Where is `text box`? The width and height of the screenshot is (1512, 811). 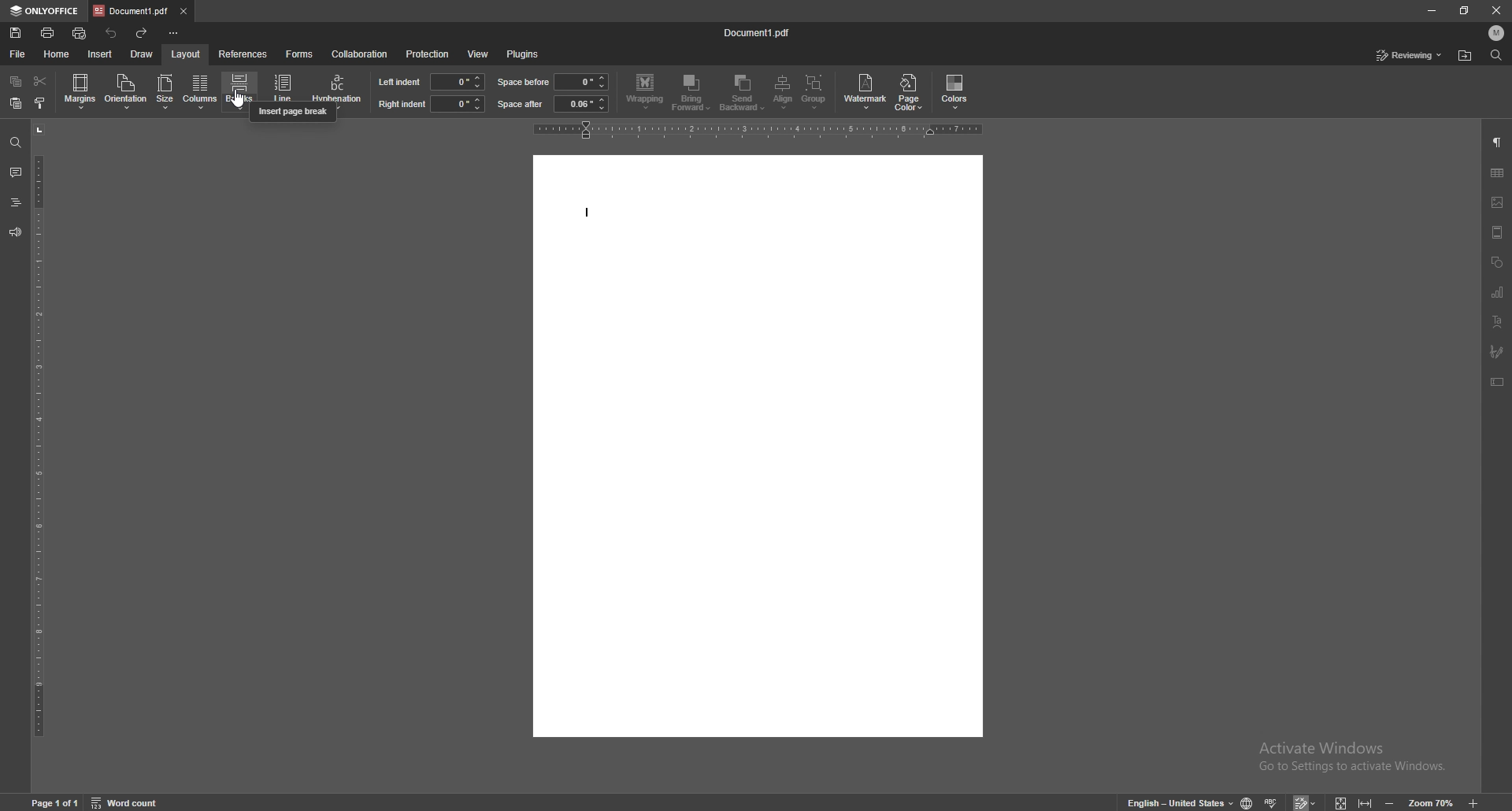
text box is located at coordinates (1496, 381).